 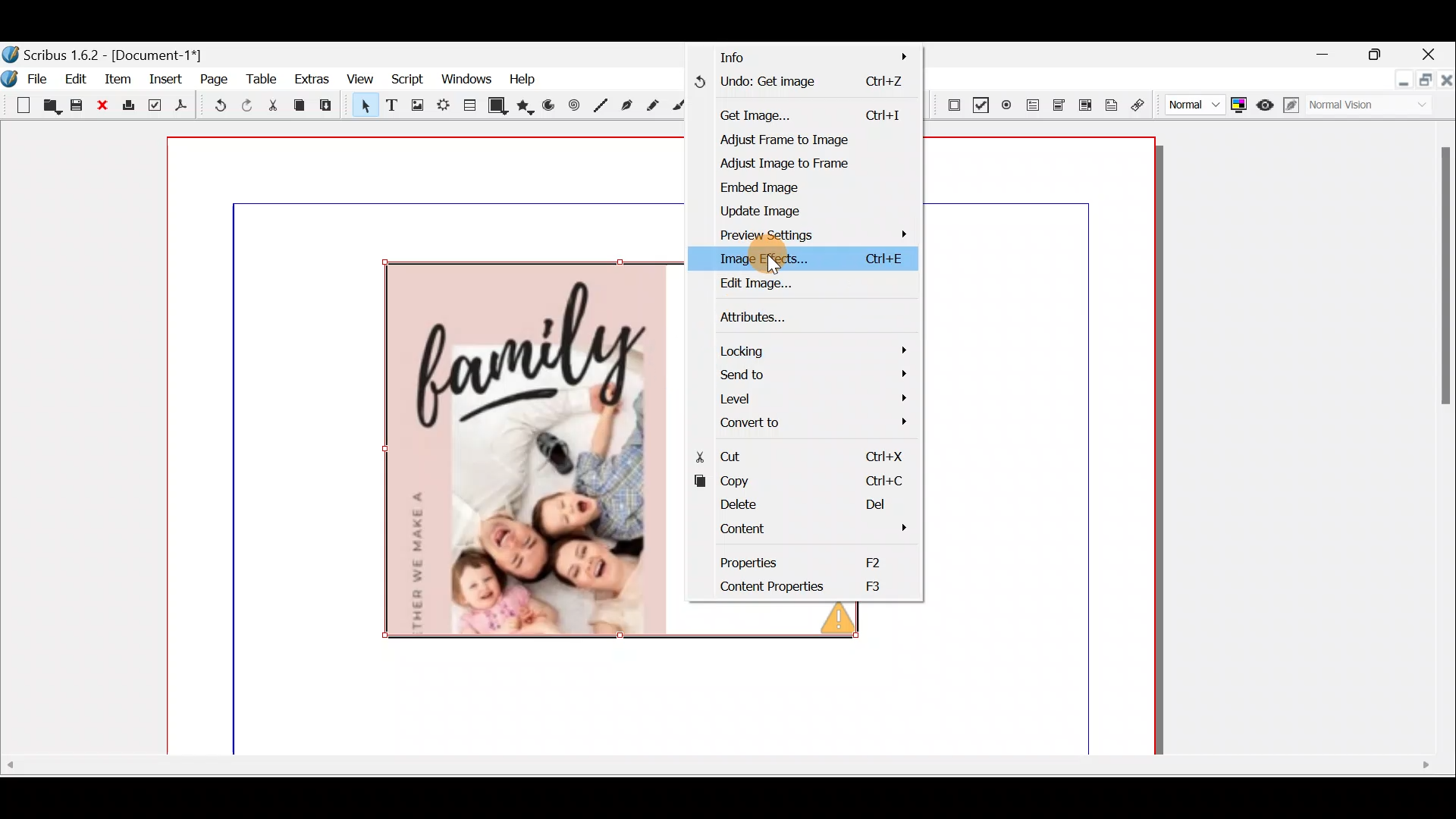 What do you see at coordinates (11, 76) in the screenshot?
I see `Logo` at bounding box center [11, 76].